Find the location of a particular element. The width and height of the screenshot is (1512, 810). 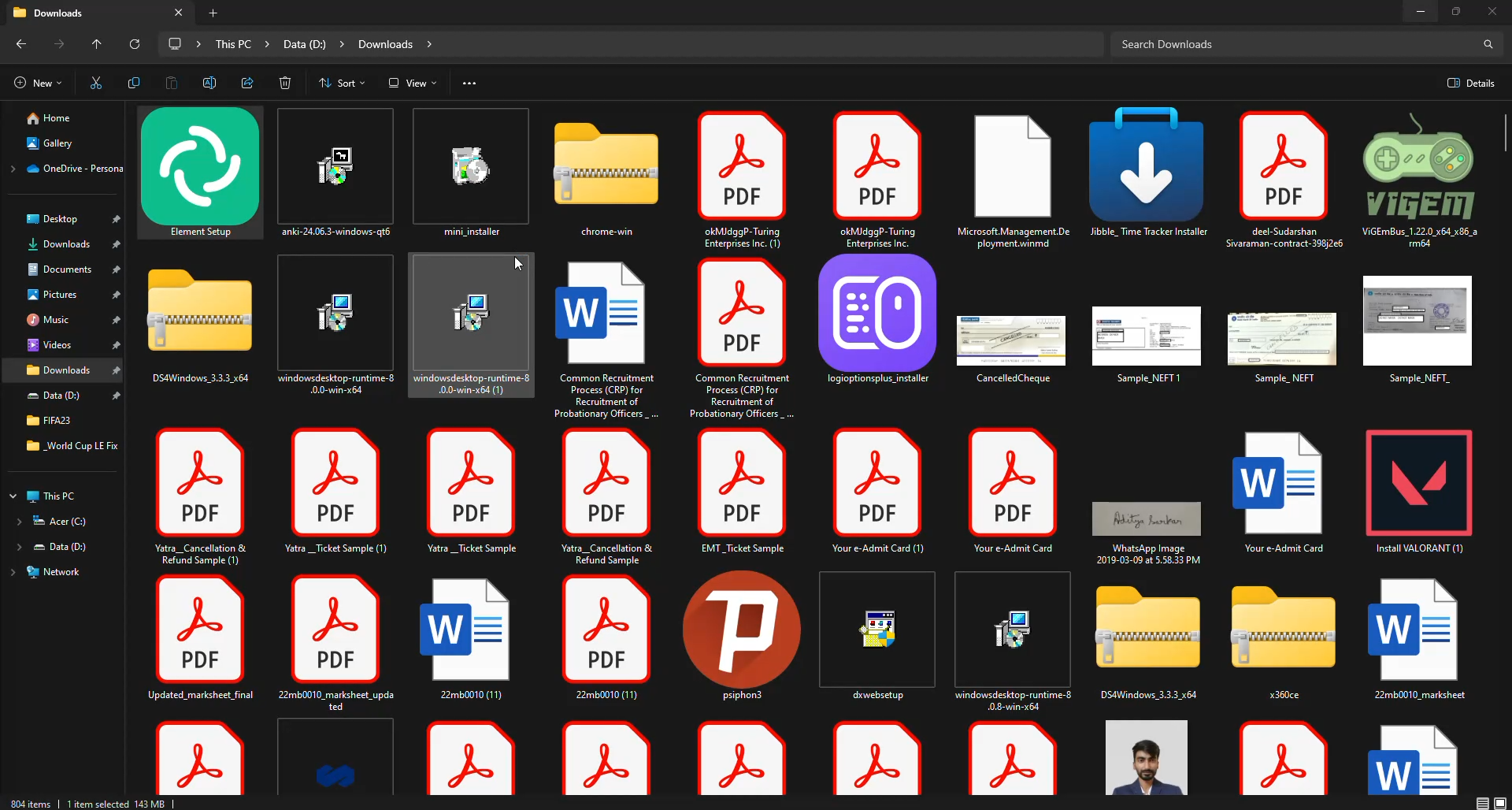

file is located at coordinates (747, 493).